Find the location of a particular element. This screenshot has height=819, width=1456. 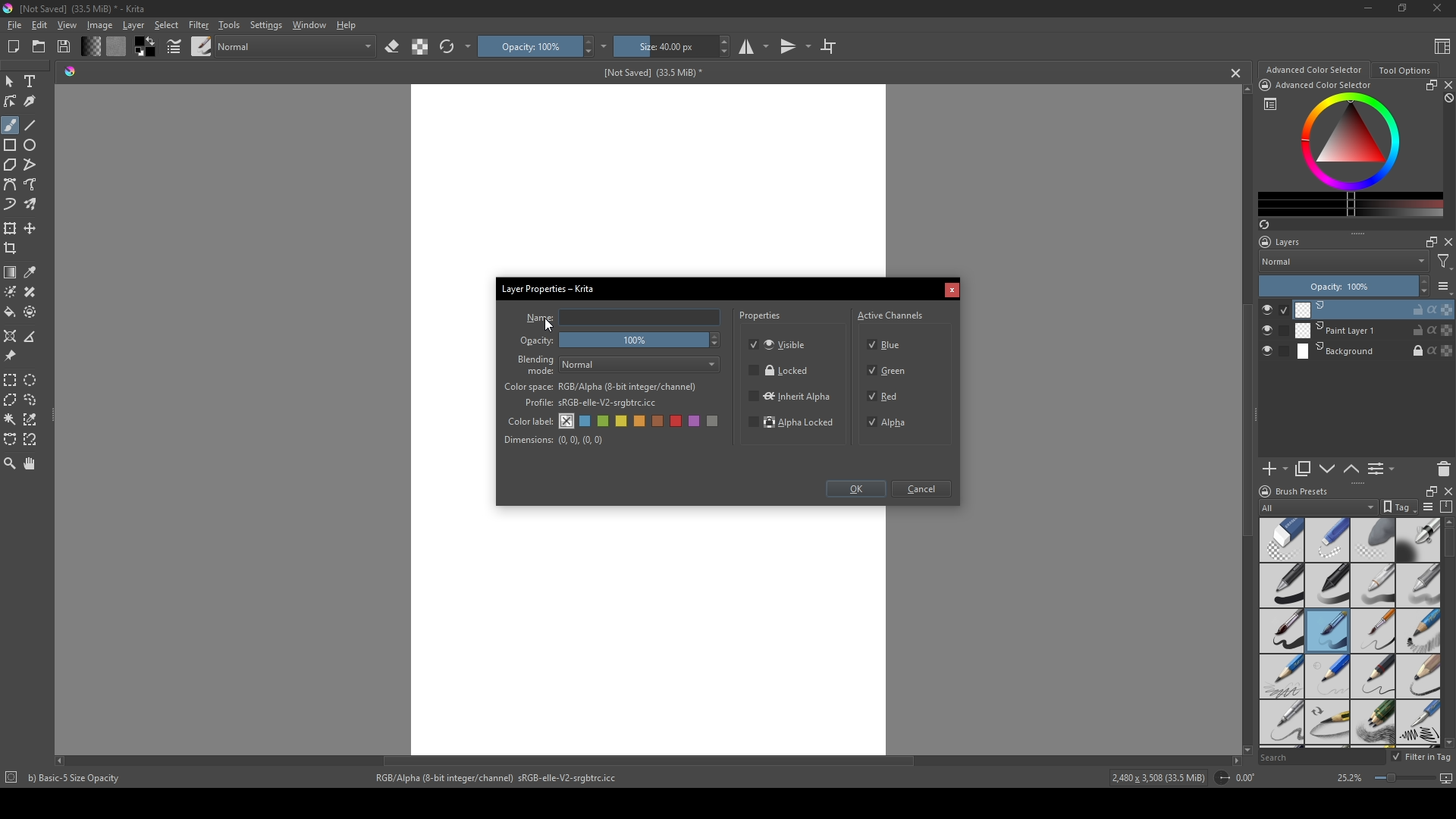

All is located at coordinates (1318, 507).